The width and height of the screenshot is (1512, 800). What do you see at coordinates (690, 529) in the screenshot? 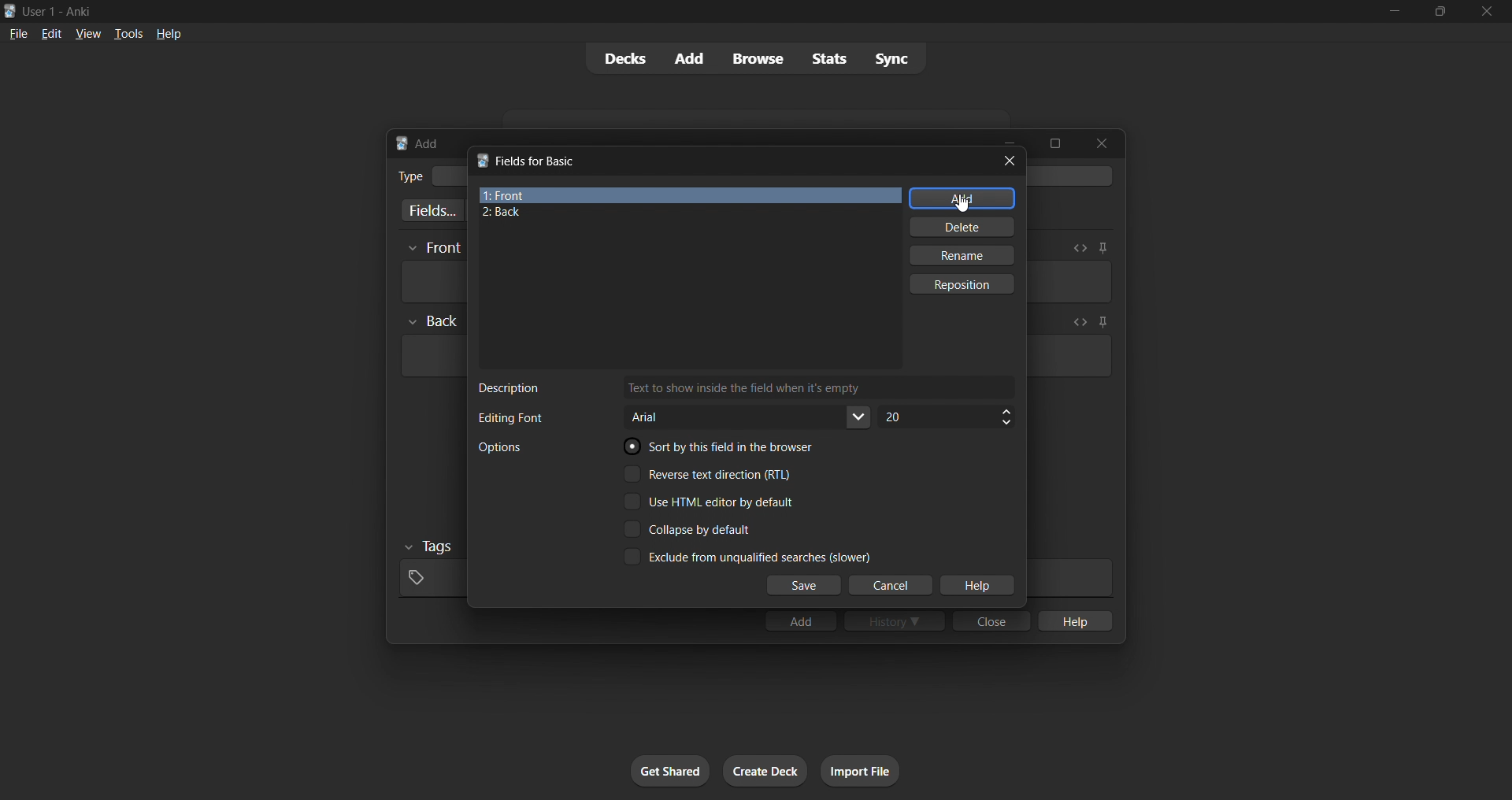
I see `Toggle` at bounding box center [690, 529].